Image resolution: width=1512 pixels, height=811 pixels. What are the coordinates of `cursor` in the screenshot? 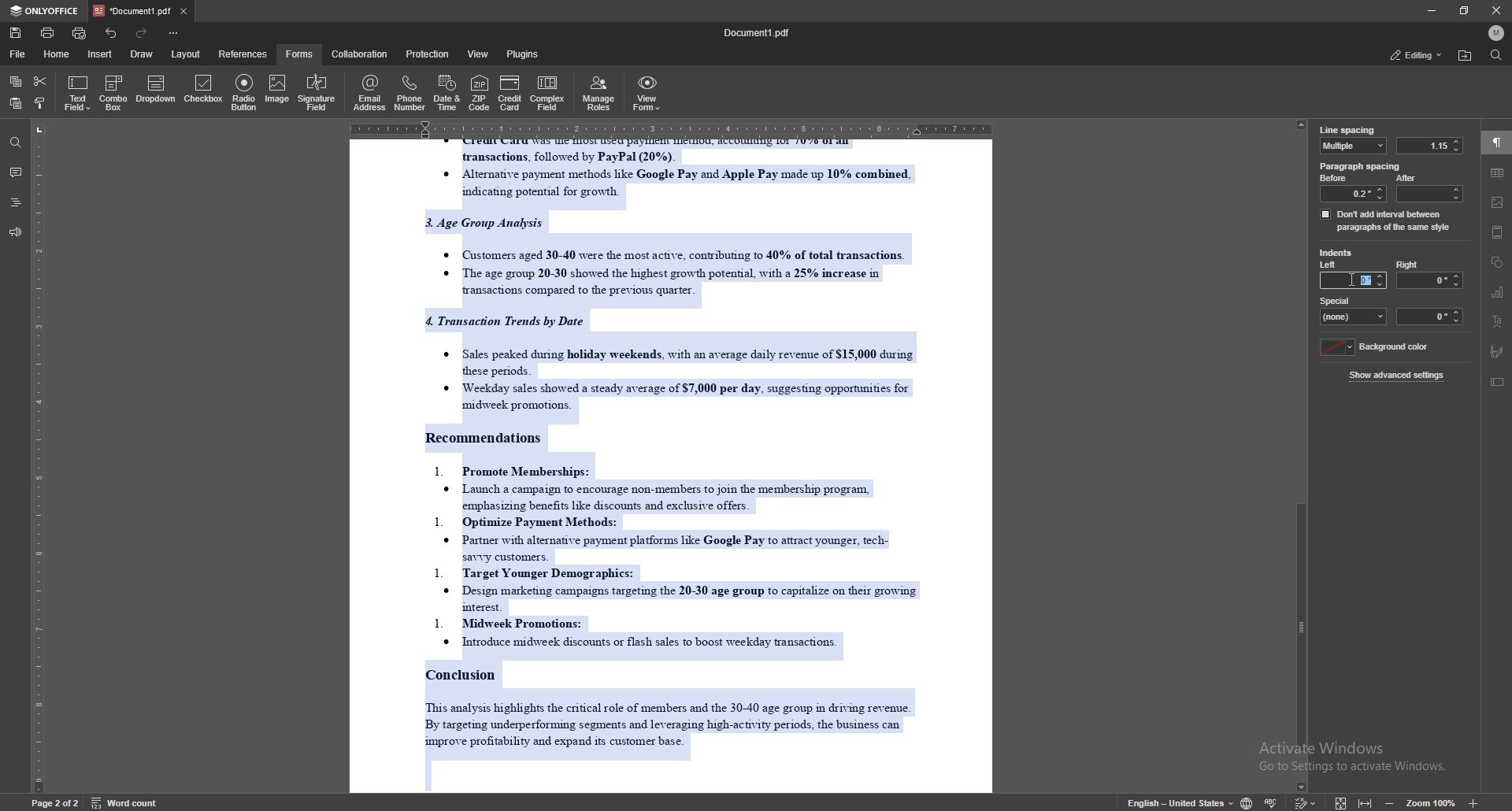 It's located at (1353, 280).